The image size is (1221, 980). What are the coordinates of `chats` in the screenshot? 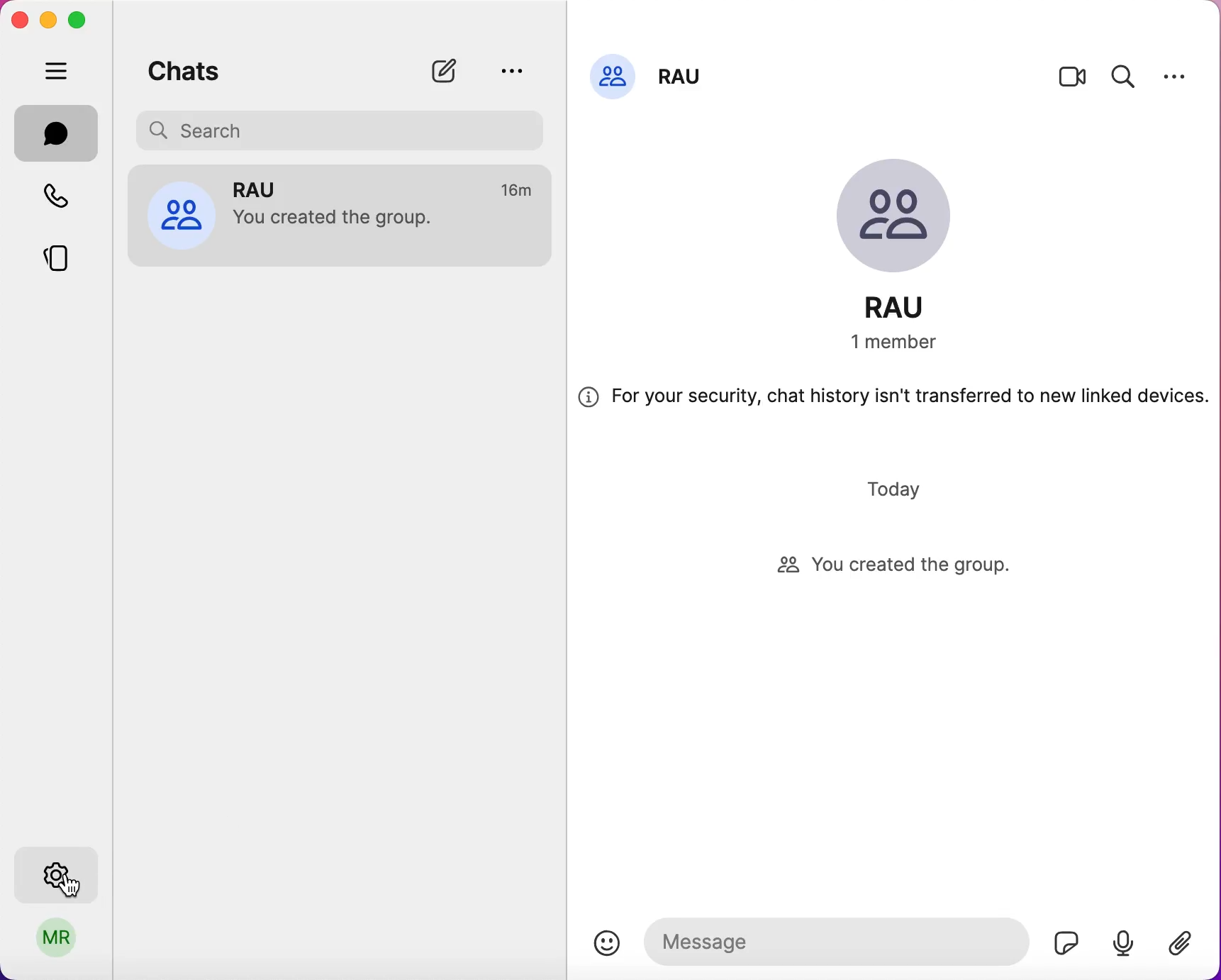 It's located at (184, 68).